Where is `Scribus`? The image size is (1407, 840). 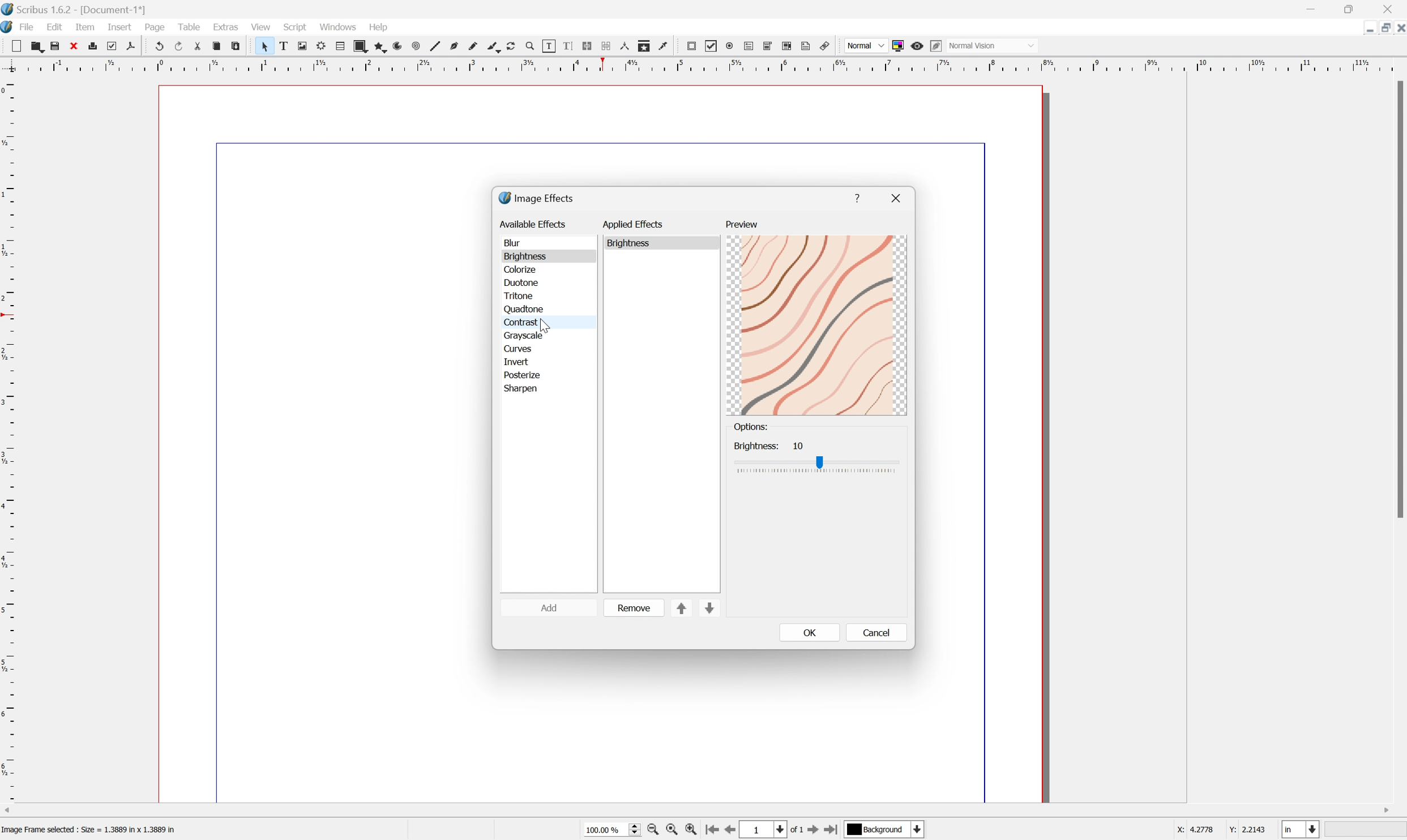
Scribus is located at coordinates (9, 27).